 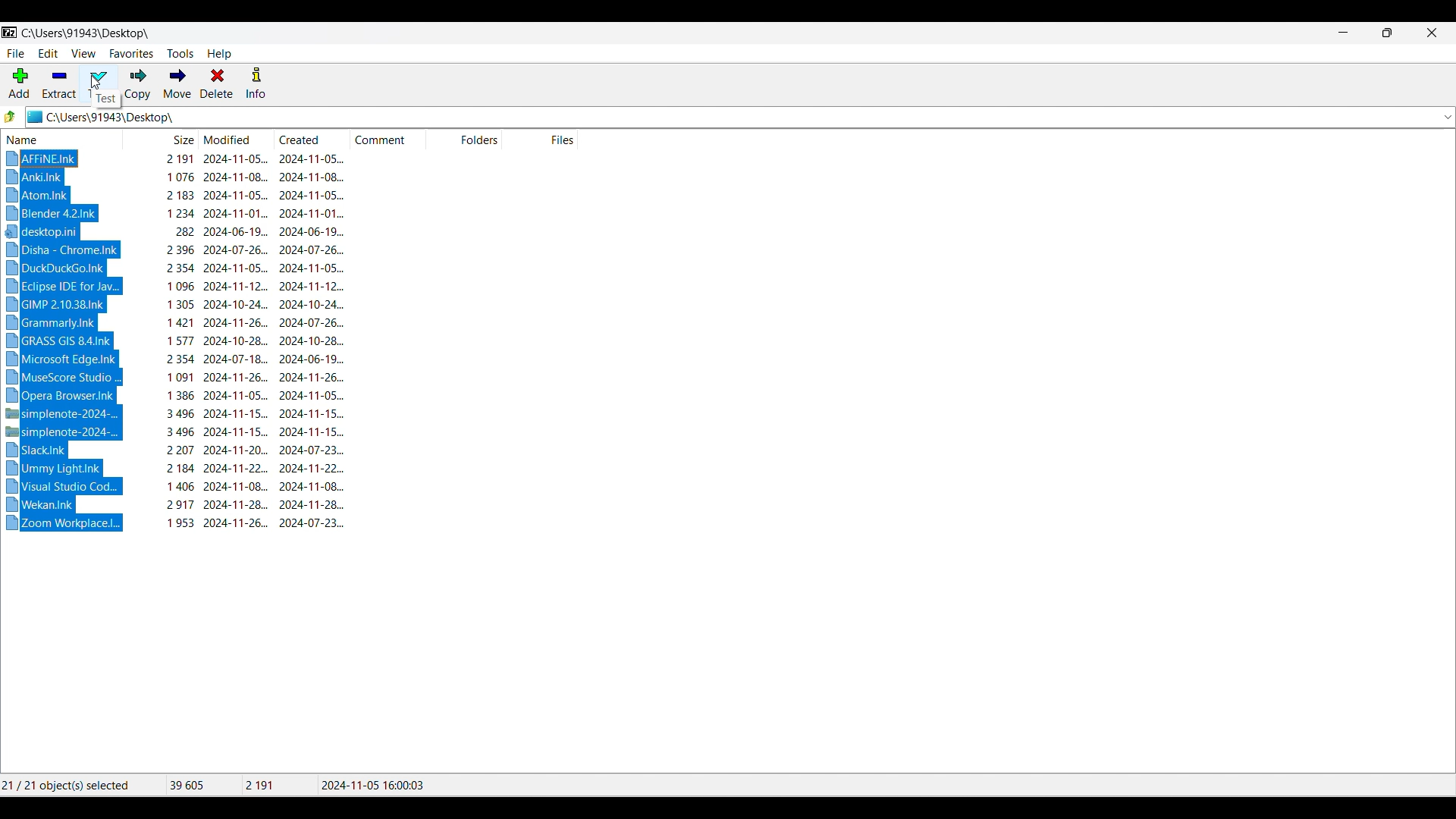 I want to click on Location of current folder, so click(x=87, y=33).